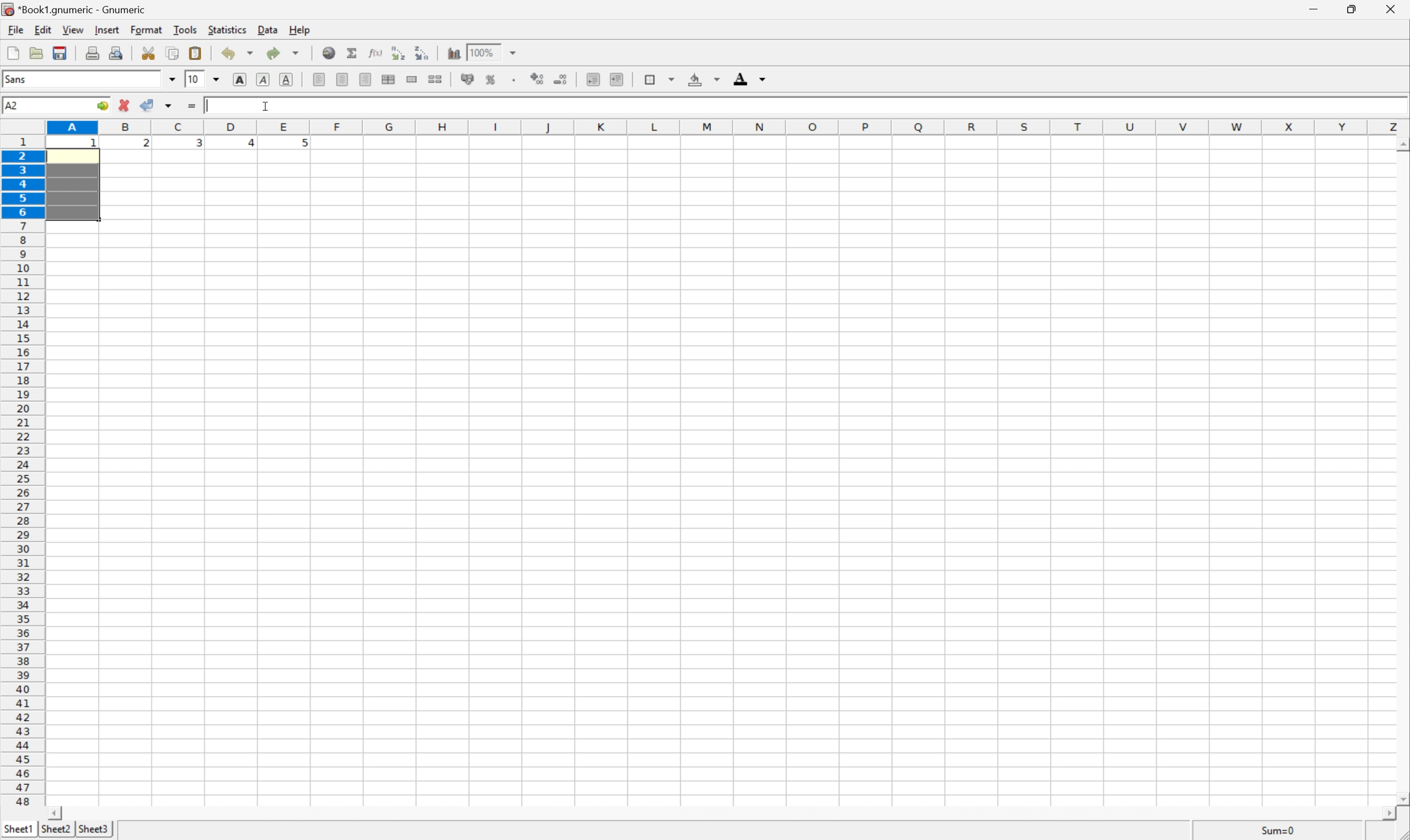  What do you see at coordinates (514, 53) in the screenshot?
I see `drop down` at bounding box center [514, 53].